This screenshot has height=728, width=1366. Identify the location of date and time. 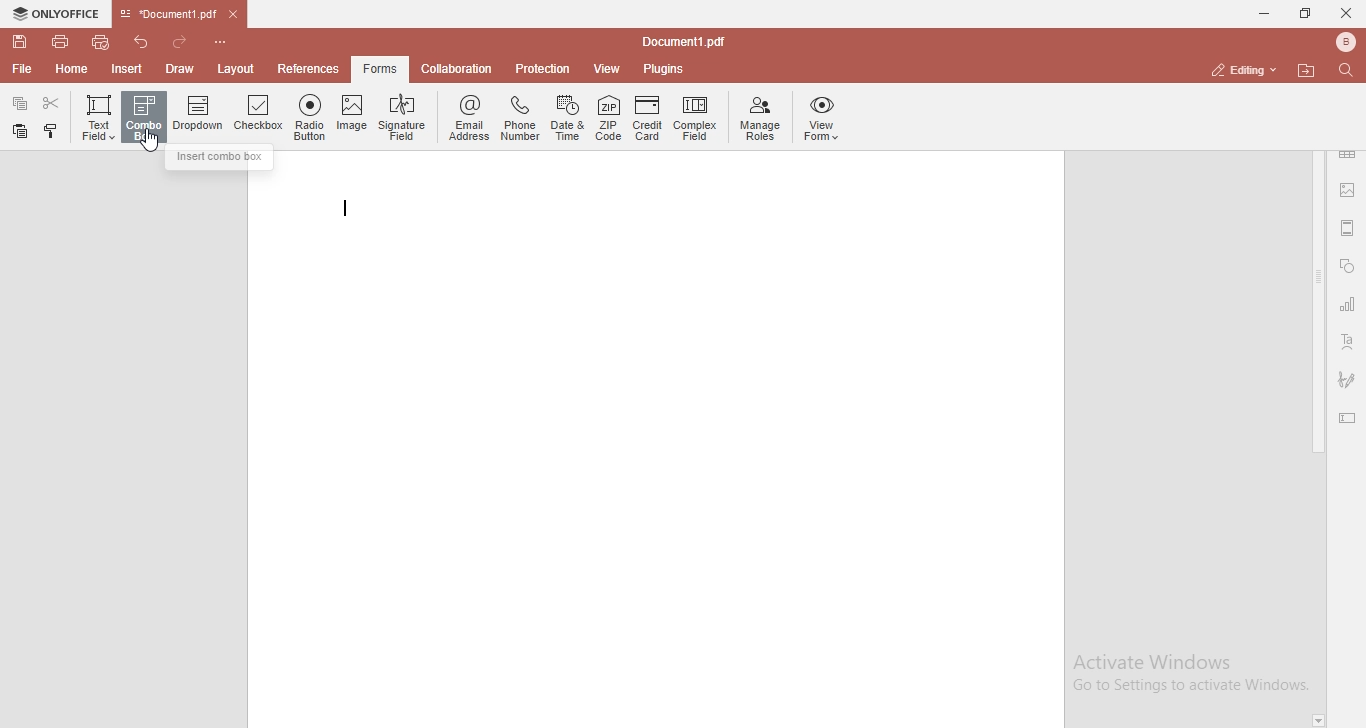
(569, 119).